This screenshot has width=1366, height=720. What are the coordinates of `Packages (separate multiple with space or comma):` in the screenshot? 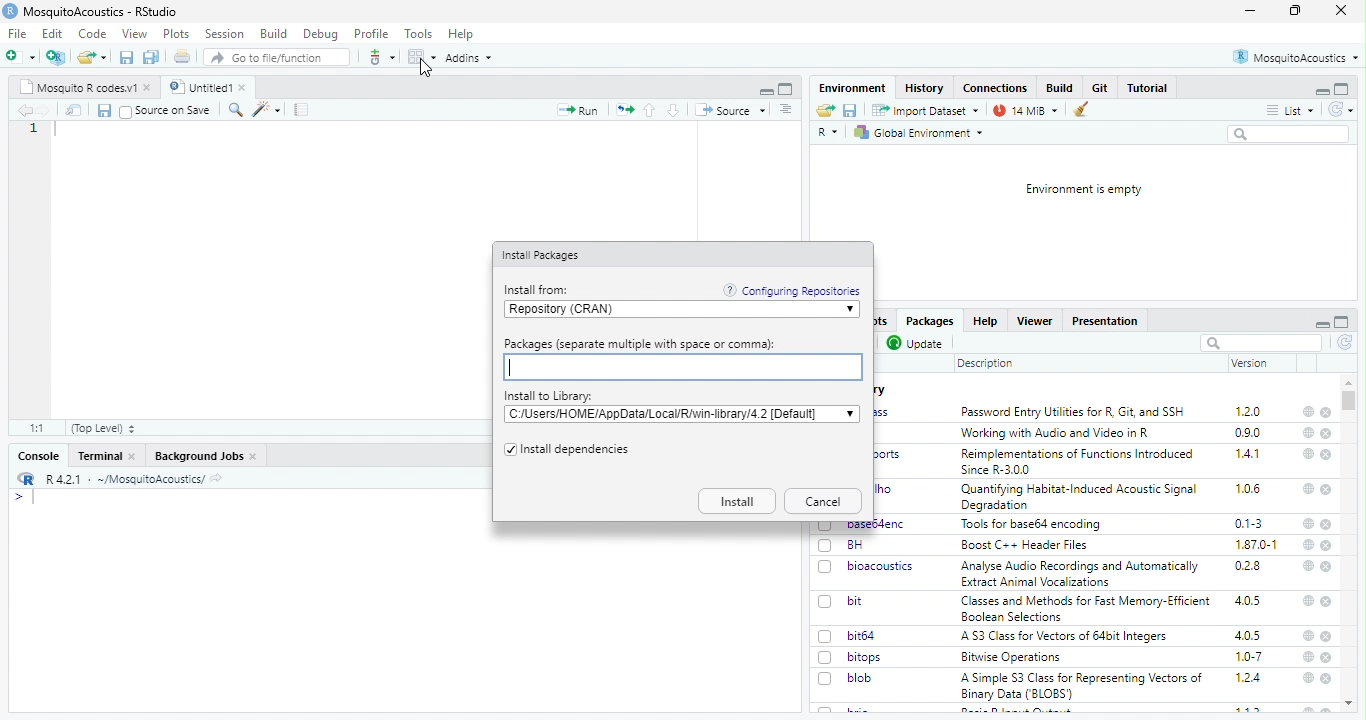 It's located at (641, 344).